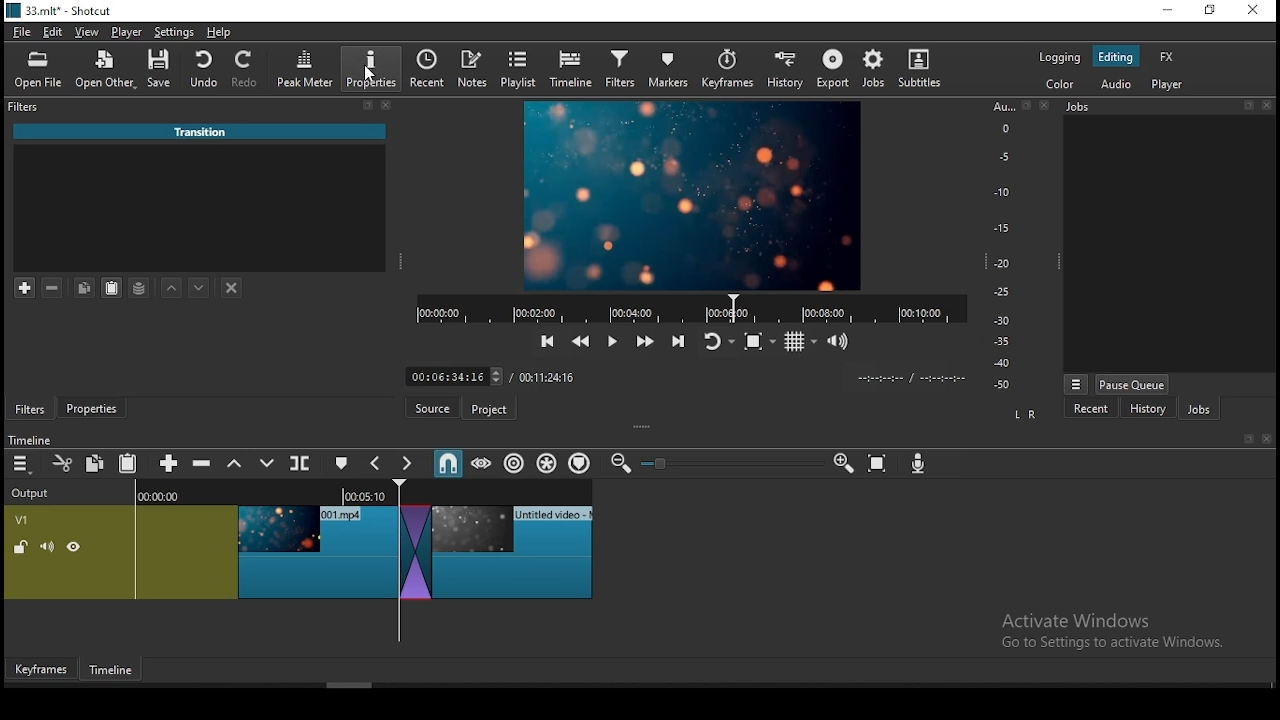  I want to click on ripple markers, so click(579, 463).